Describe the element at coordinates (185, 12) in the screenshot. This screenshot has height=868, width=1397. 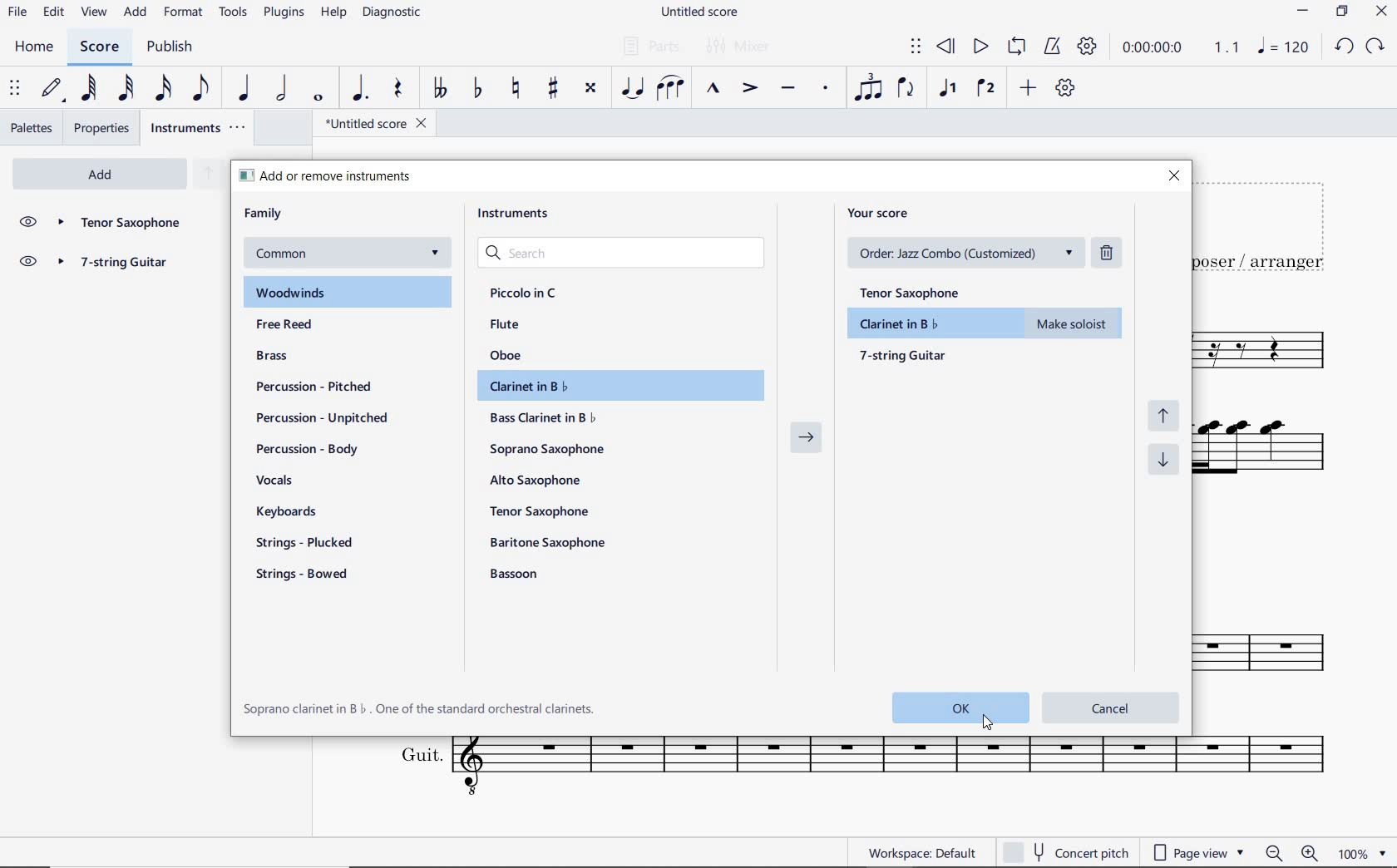
I see `FORMAT` at that location.